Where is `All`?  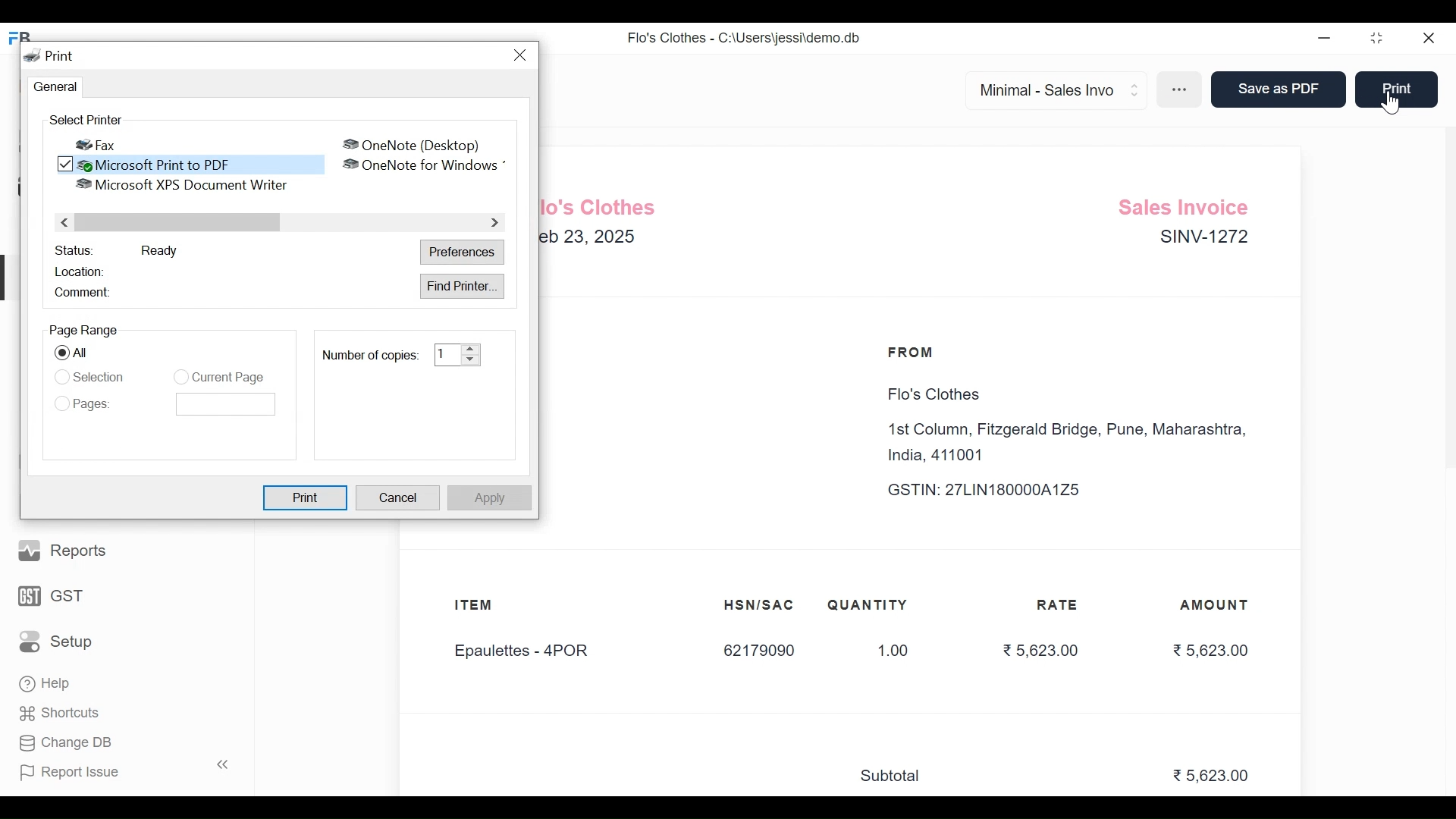
All is located at coordinates (87, 354).